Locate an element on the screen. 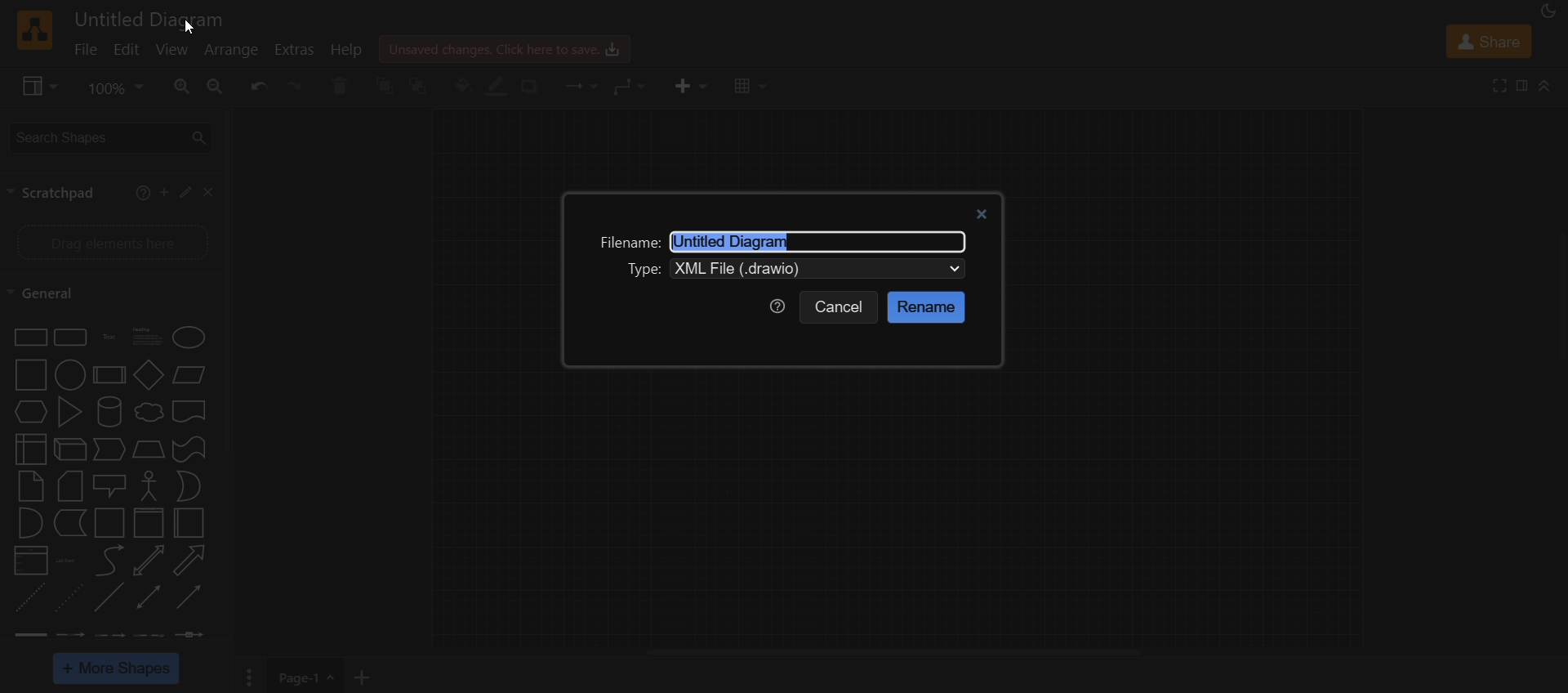  file is located at coordinates (86, 51).